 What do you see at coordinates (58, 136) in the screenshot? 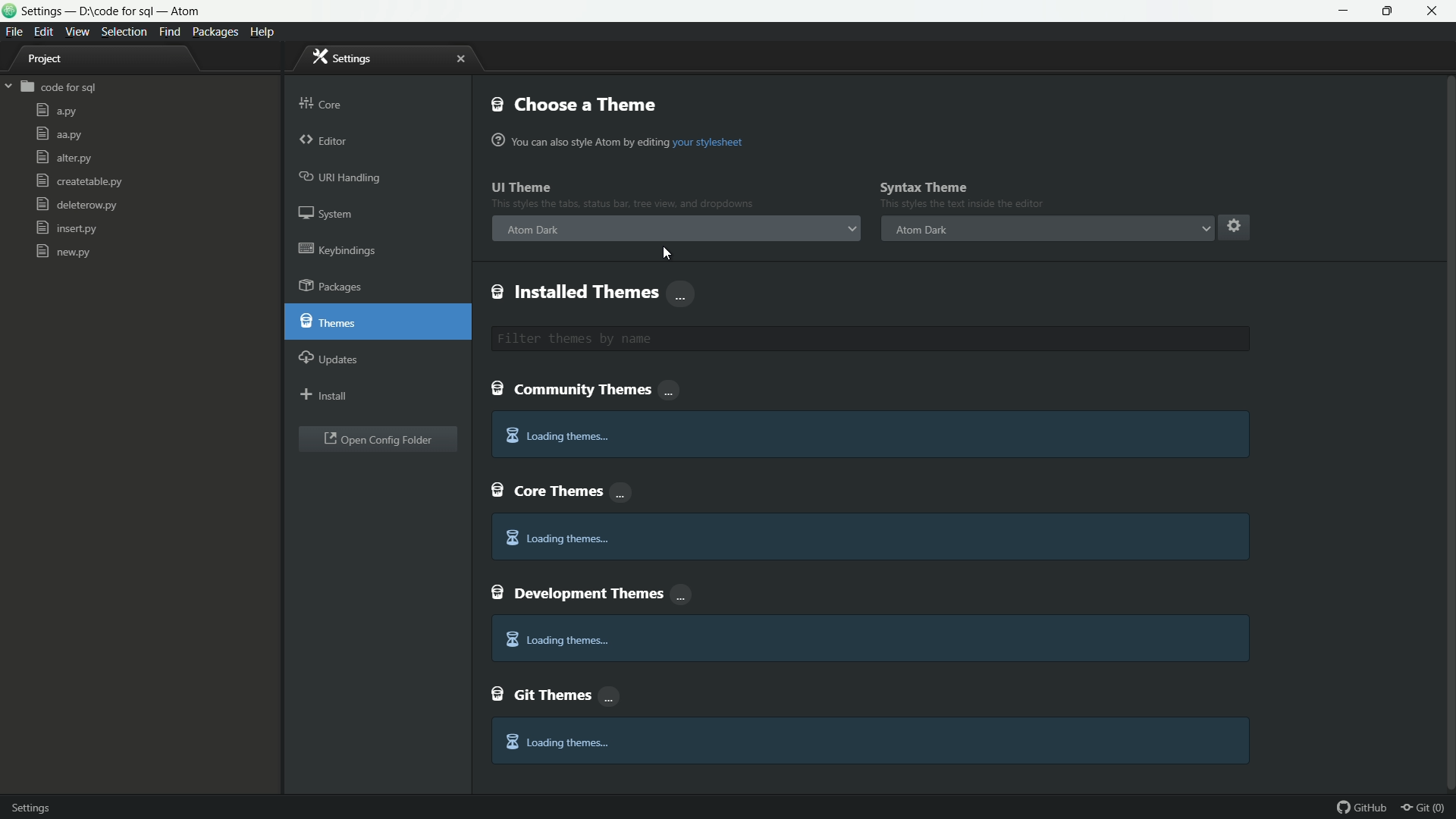
I see `aa.py file` at bounding box center [58, 136].